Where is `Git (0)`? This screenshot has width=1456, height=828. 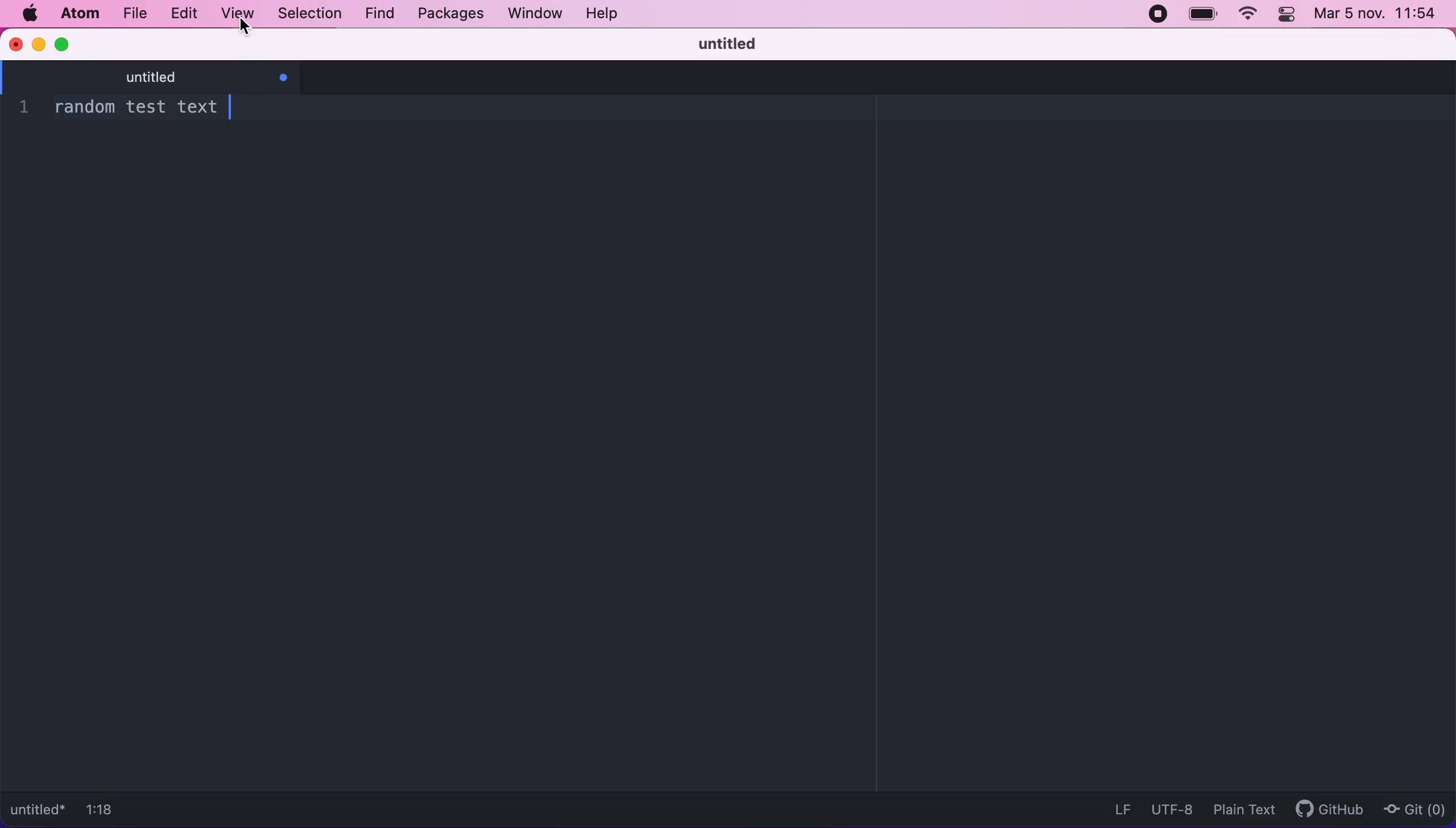
Git (0) is located at coordinates (1414, 808).